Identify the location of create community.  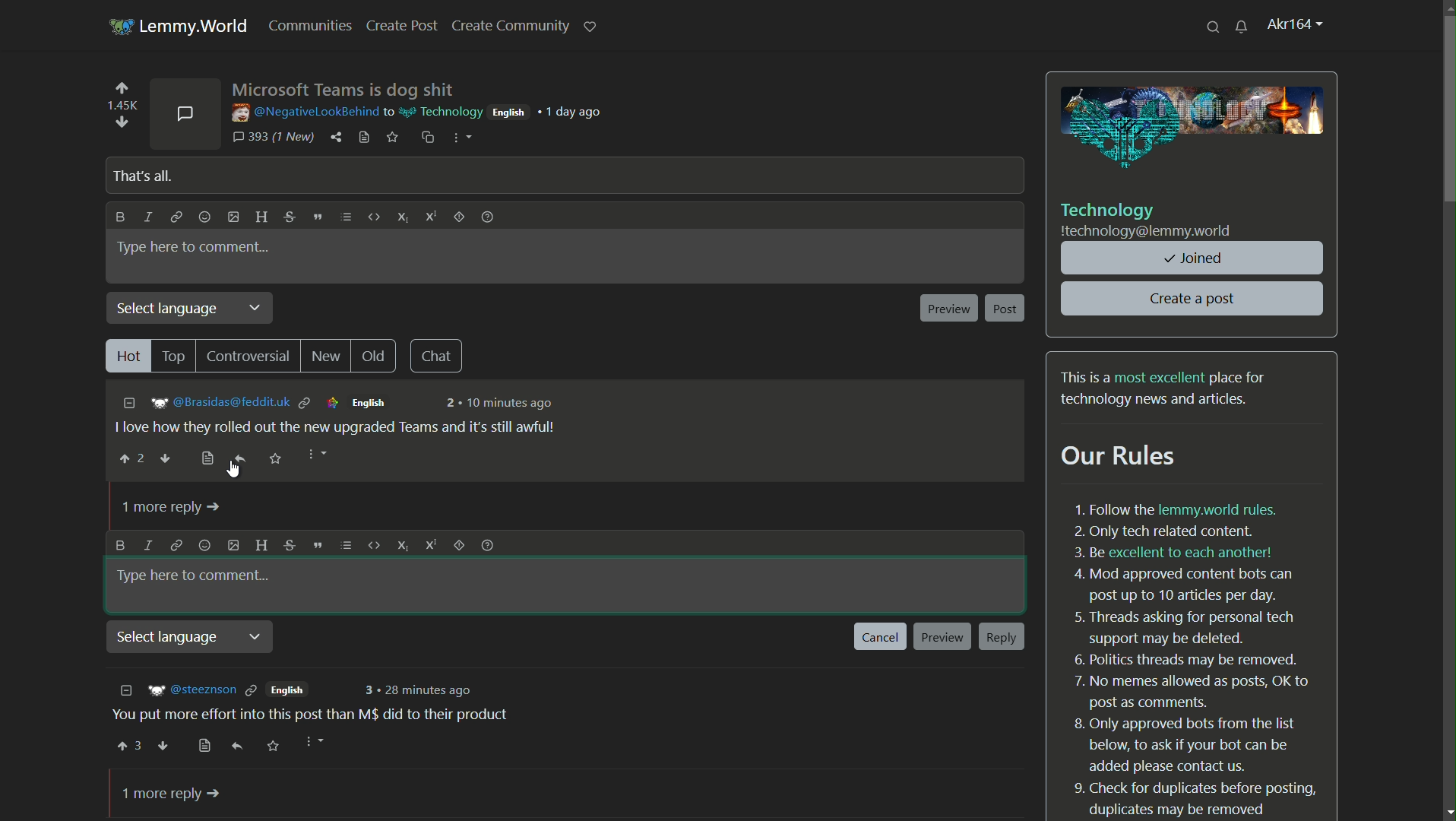
(510, 26).